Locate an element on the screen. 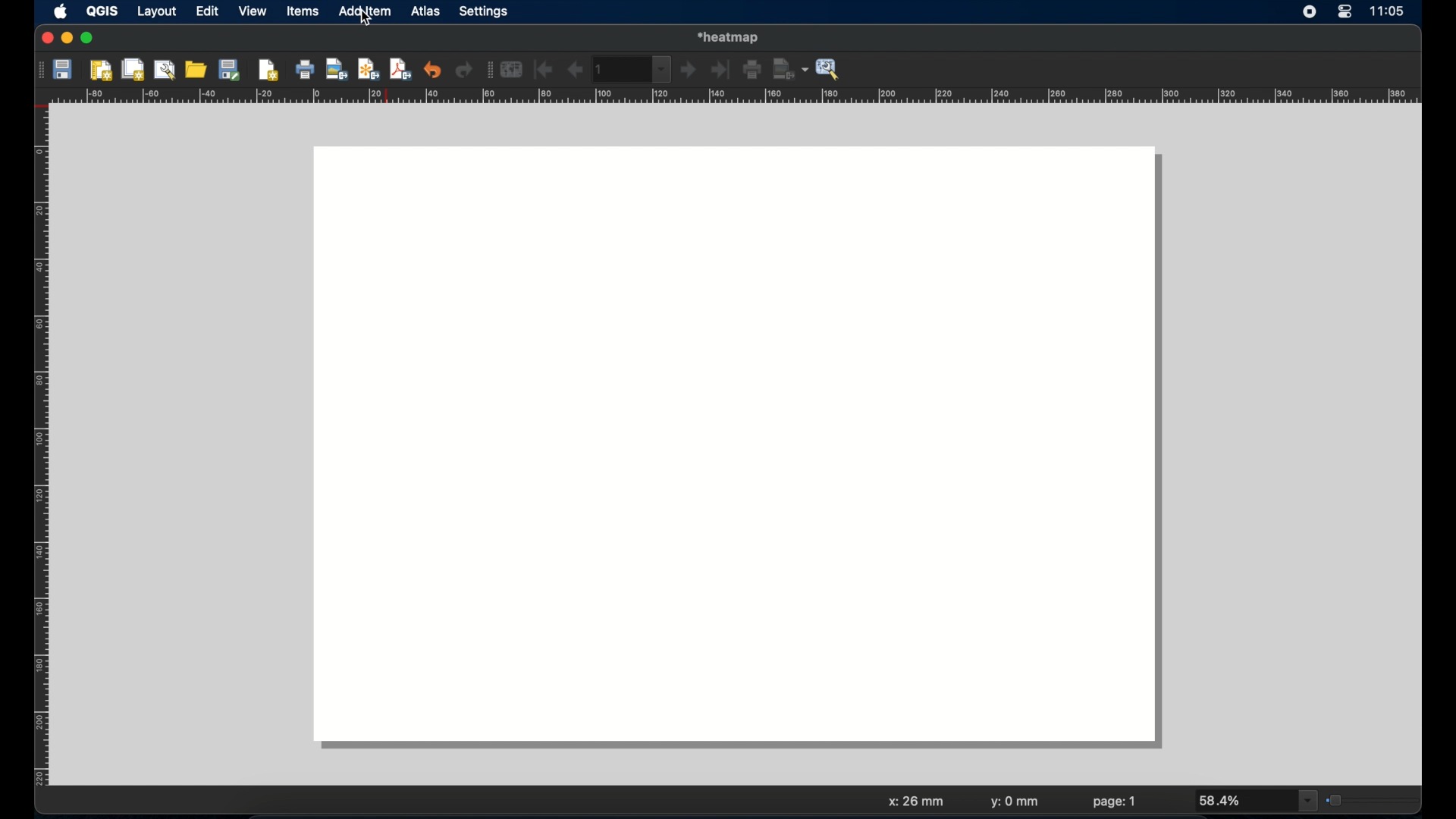  margin is located at coordinates (738, 97).